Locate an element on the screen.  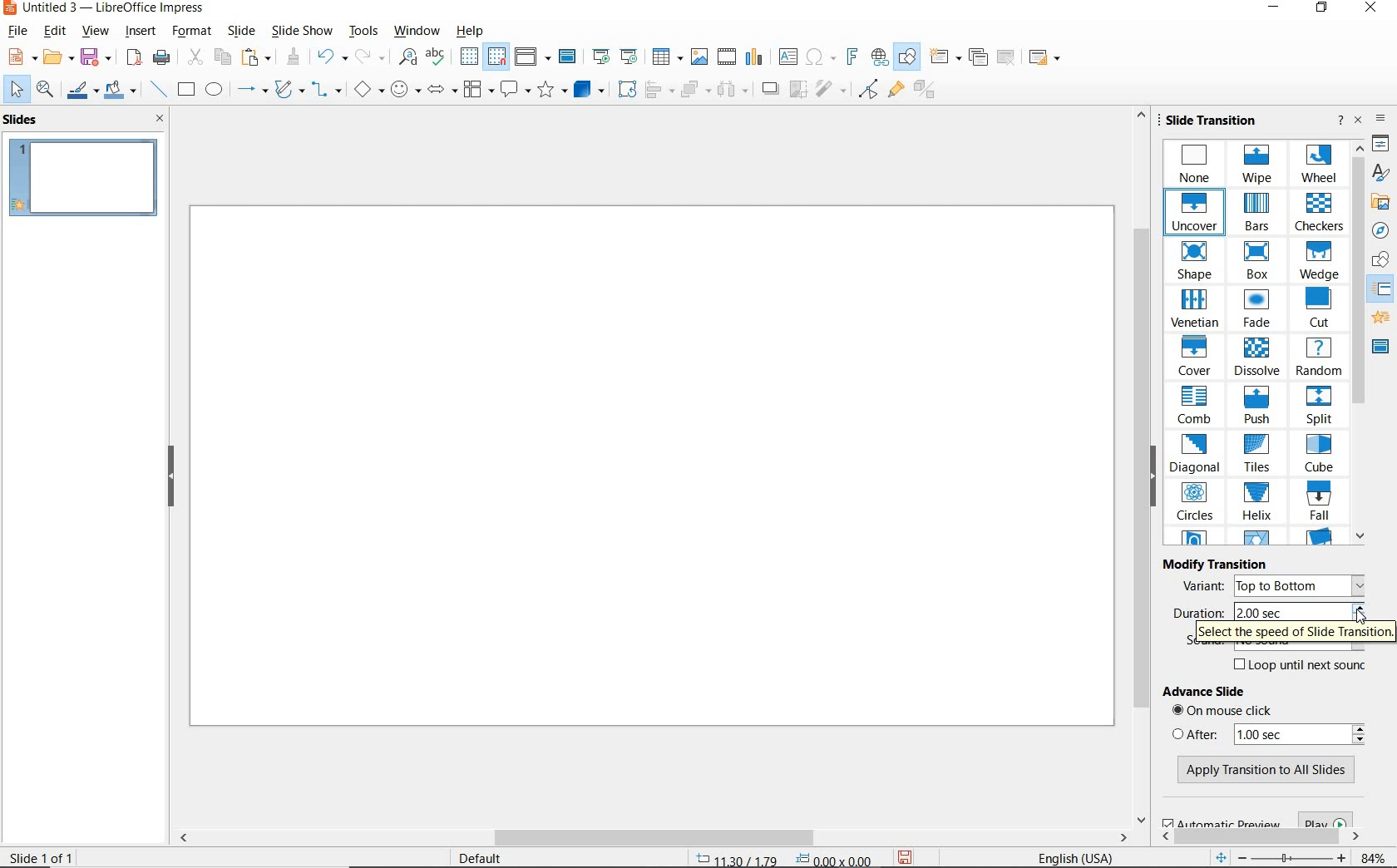
BOX is located at coordinates (1257, 263).